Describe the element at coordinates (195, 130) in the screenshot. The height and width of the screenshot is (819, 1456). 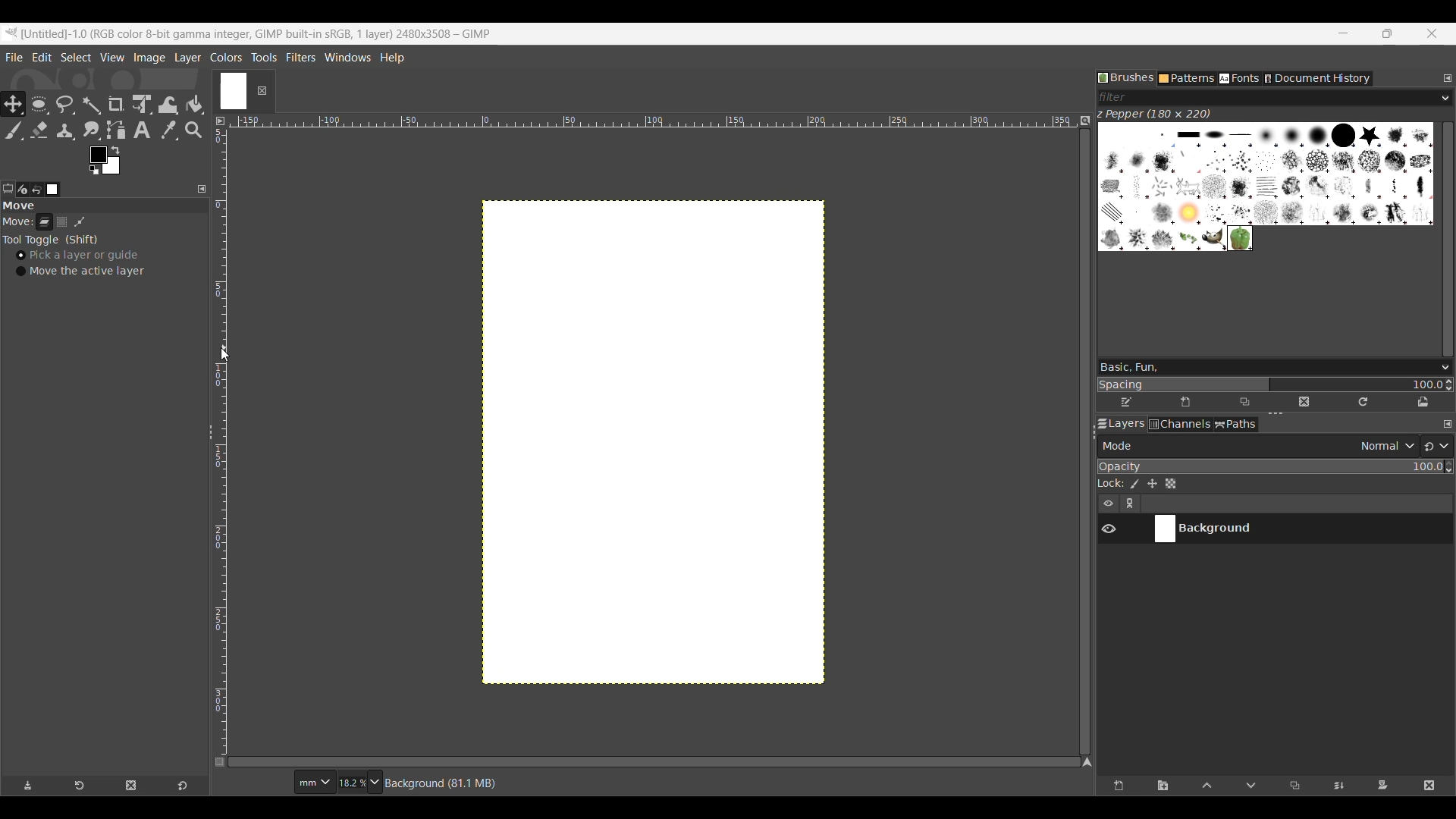
I see `Zoom tool` at that location.